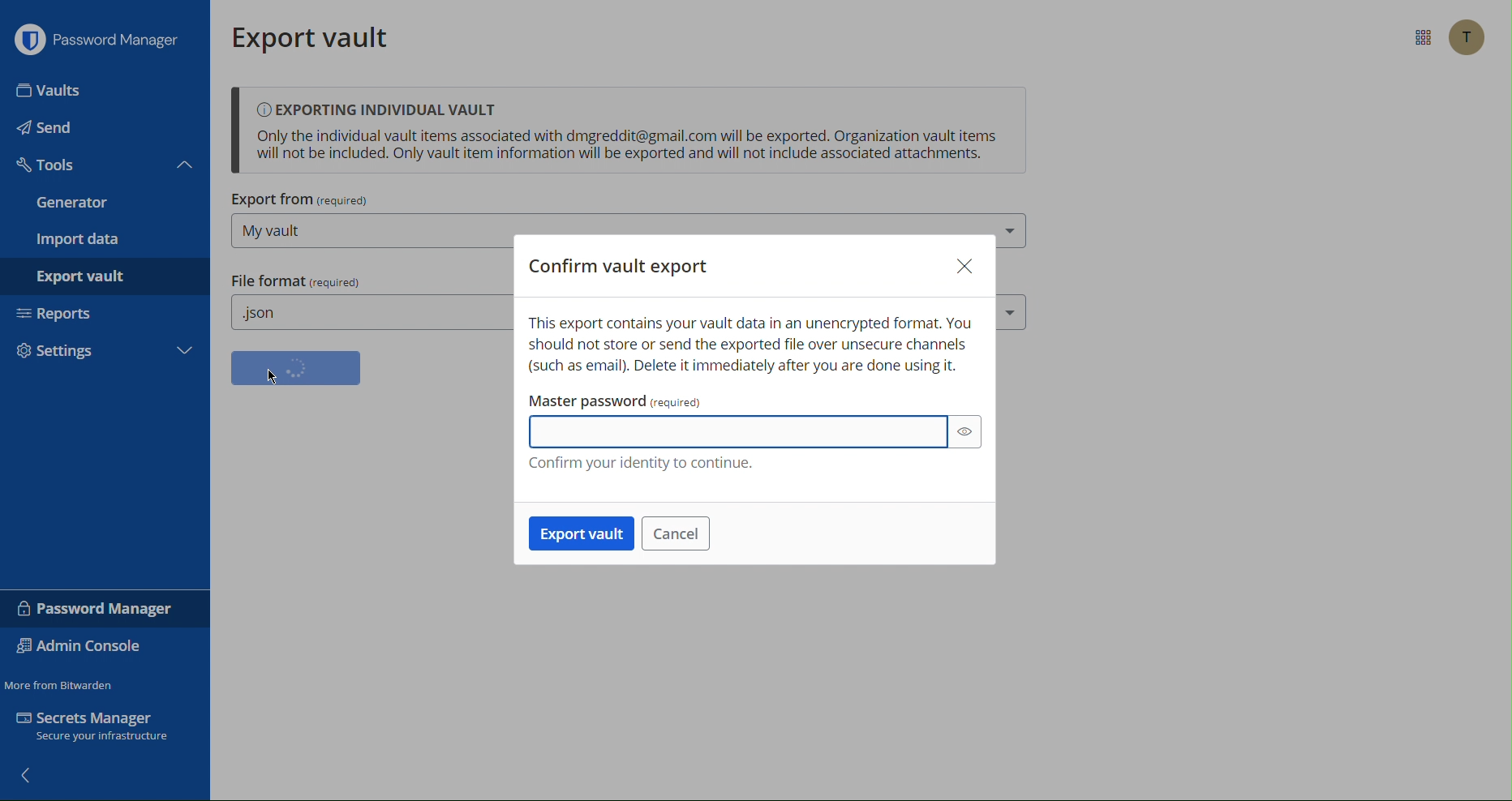  Describe the element at coordinates (101, 43) in the screenshot. I see `Password Manager` at that location.